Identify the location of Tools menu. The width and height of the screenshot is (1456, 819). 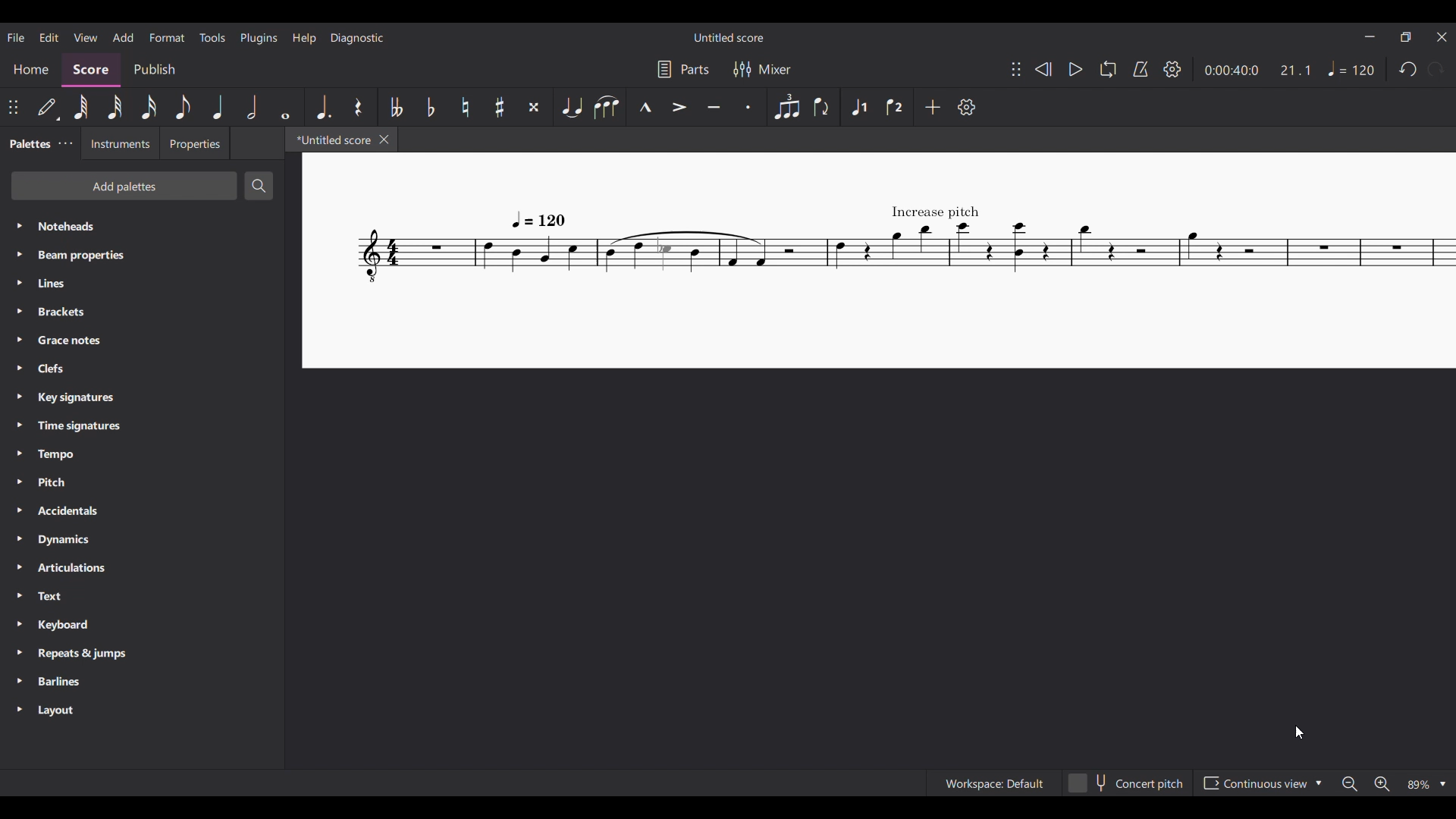
(212, 37).